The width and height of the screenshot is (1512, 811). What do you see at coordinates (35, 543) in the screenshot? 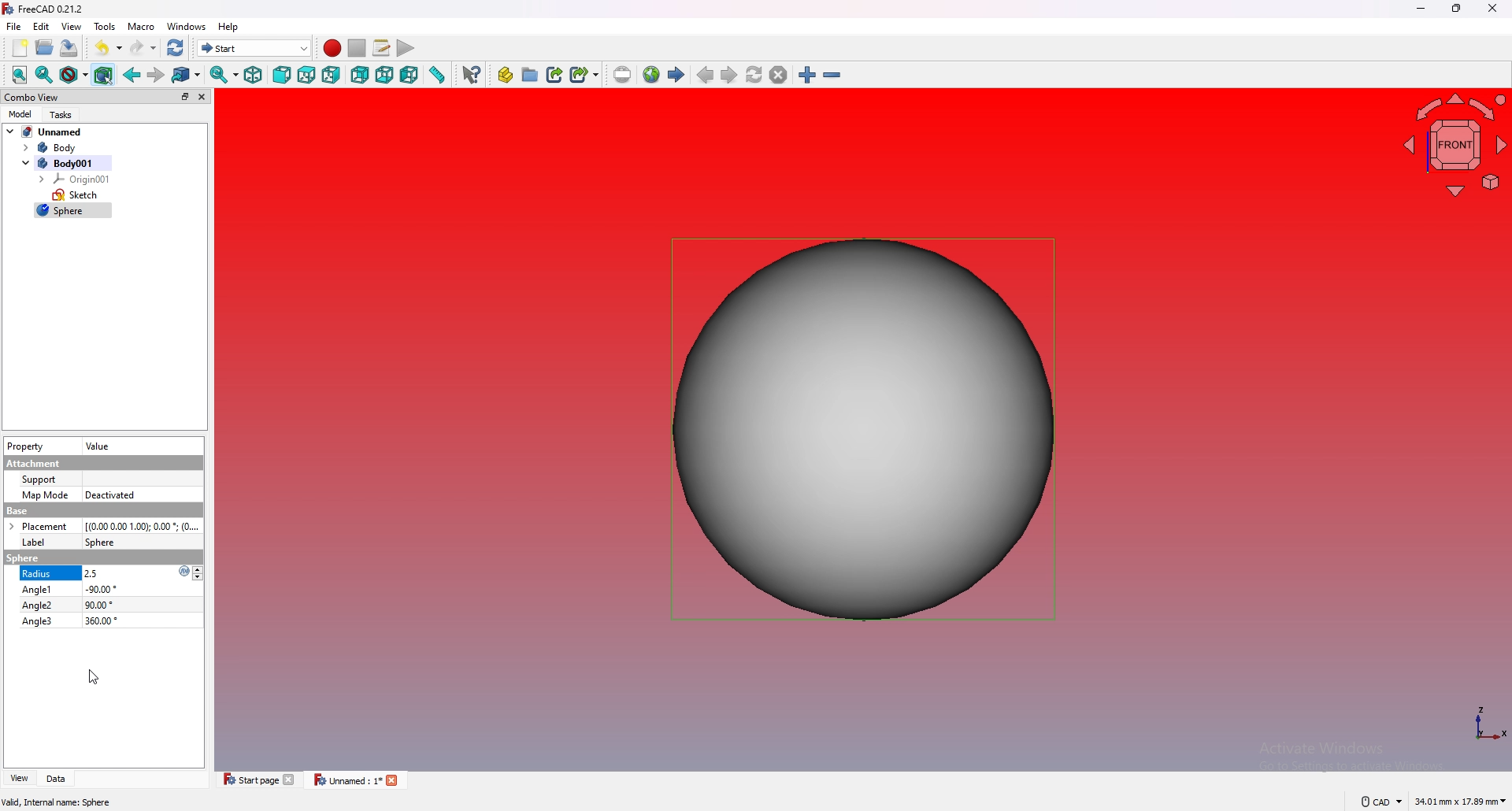
I see `Label` at bounding box center [35, 543].